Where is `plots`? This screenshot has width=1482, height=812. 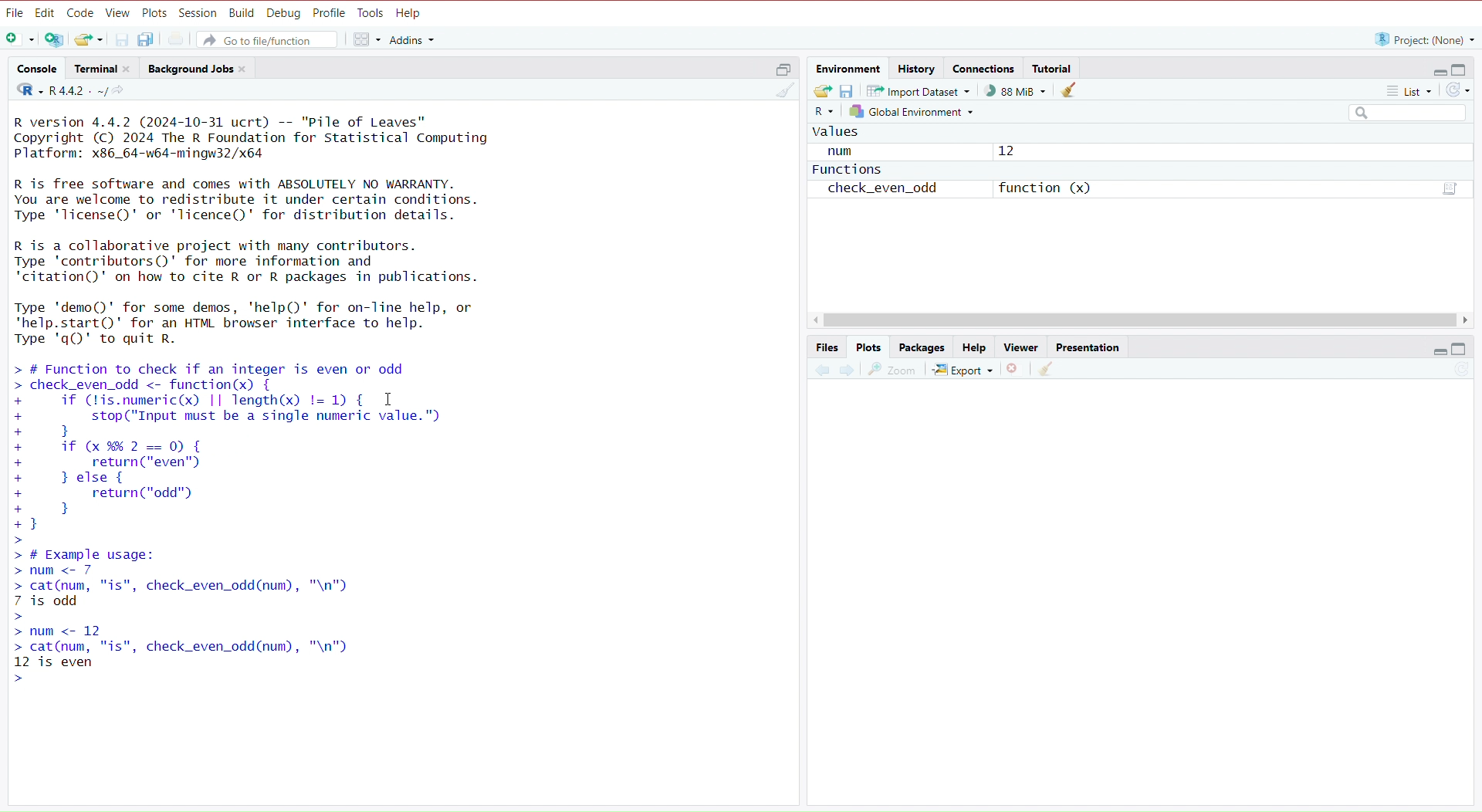
plots is located at coordinates (154, 12).